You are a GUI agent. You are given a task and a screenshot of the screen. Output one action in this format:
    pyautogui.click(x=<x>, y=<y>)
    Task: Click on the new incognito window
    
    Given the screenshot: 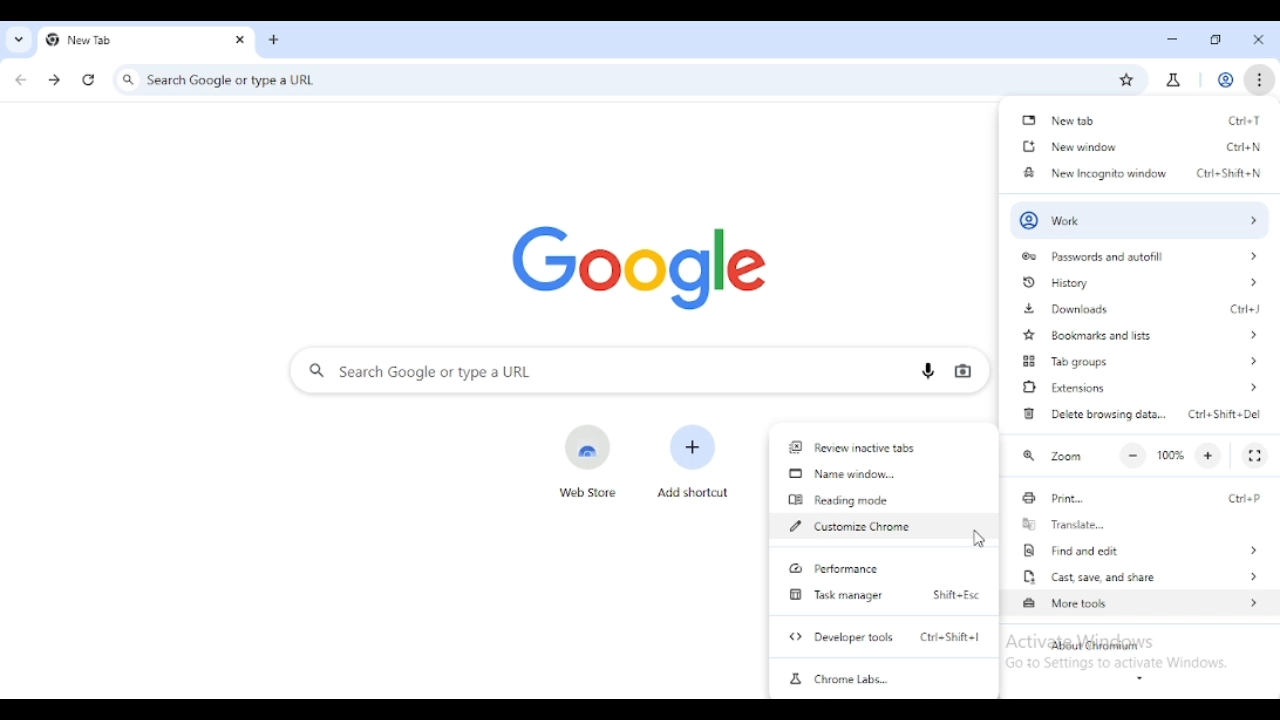 What is the action you would take?
    pyautogui.click(x=1094, y=173)
    